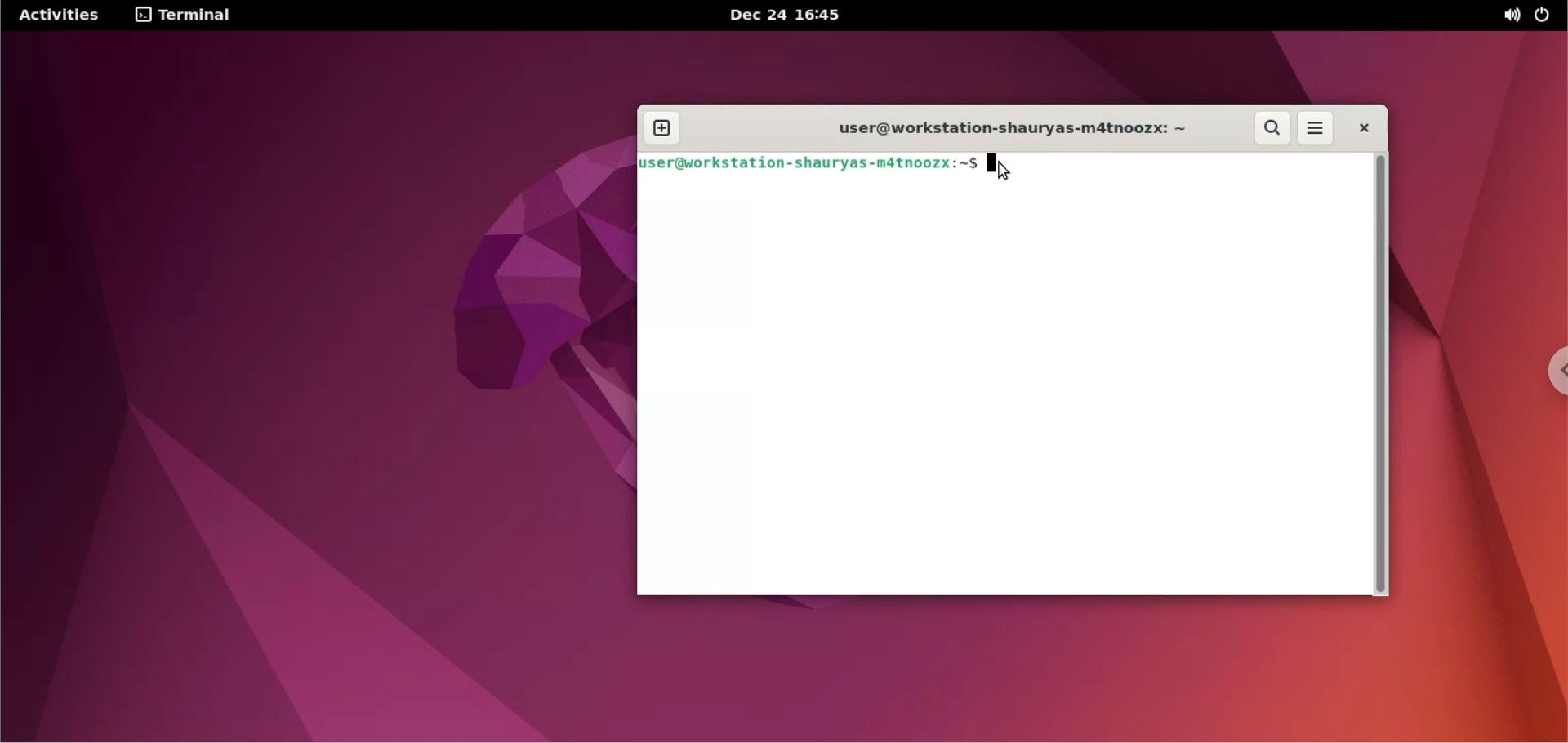  I want to click on power options, so click(1546, 16).